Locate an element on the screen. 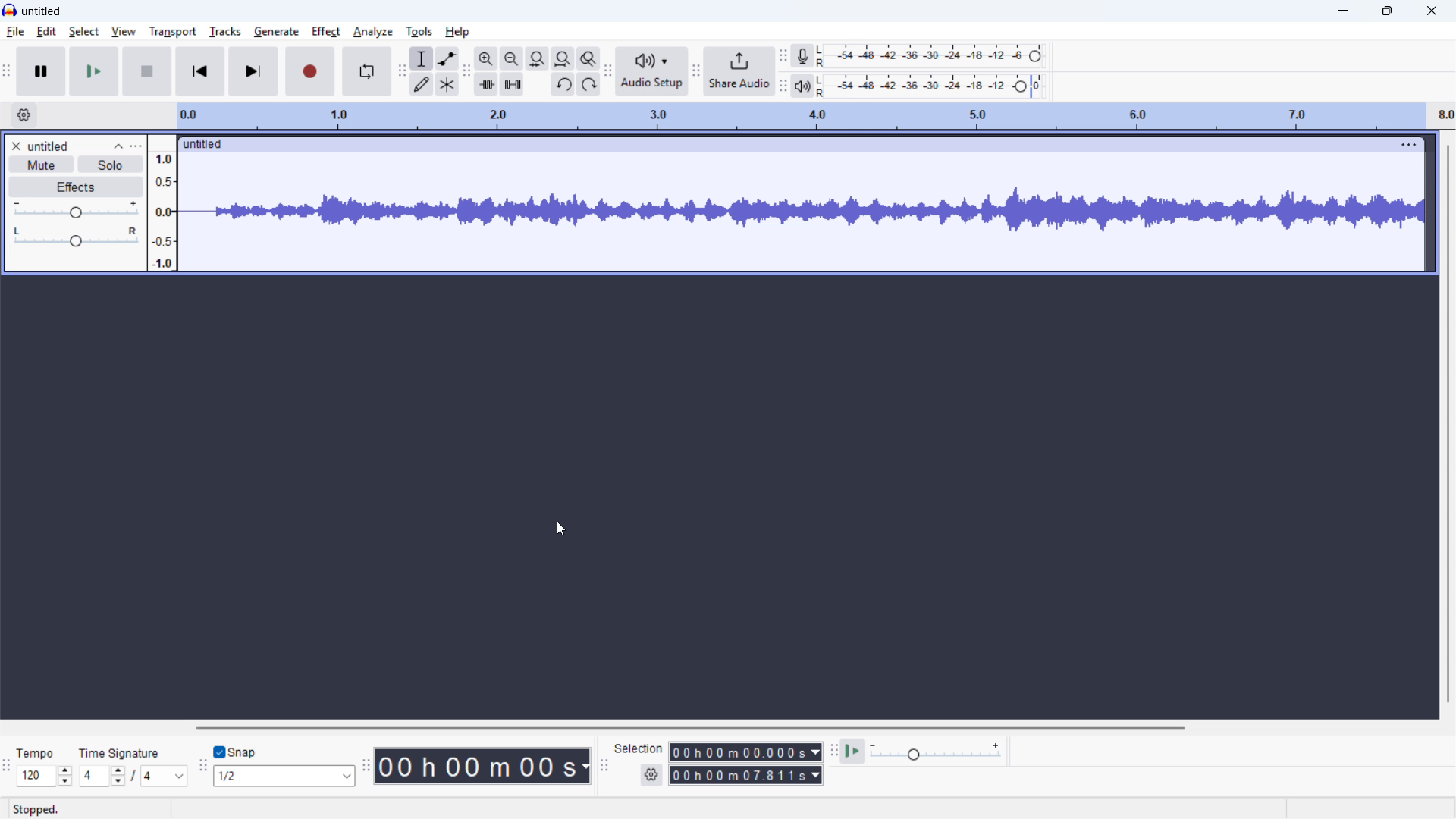  Tools toolbar  is located at coordinates (401, 71).